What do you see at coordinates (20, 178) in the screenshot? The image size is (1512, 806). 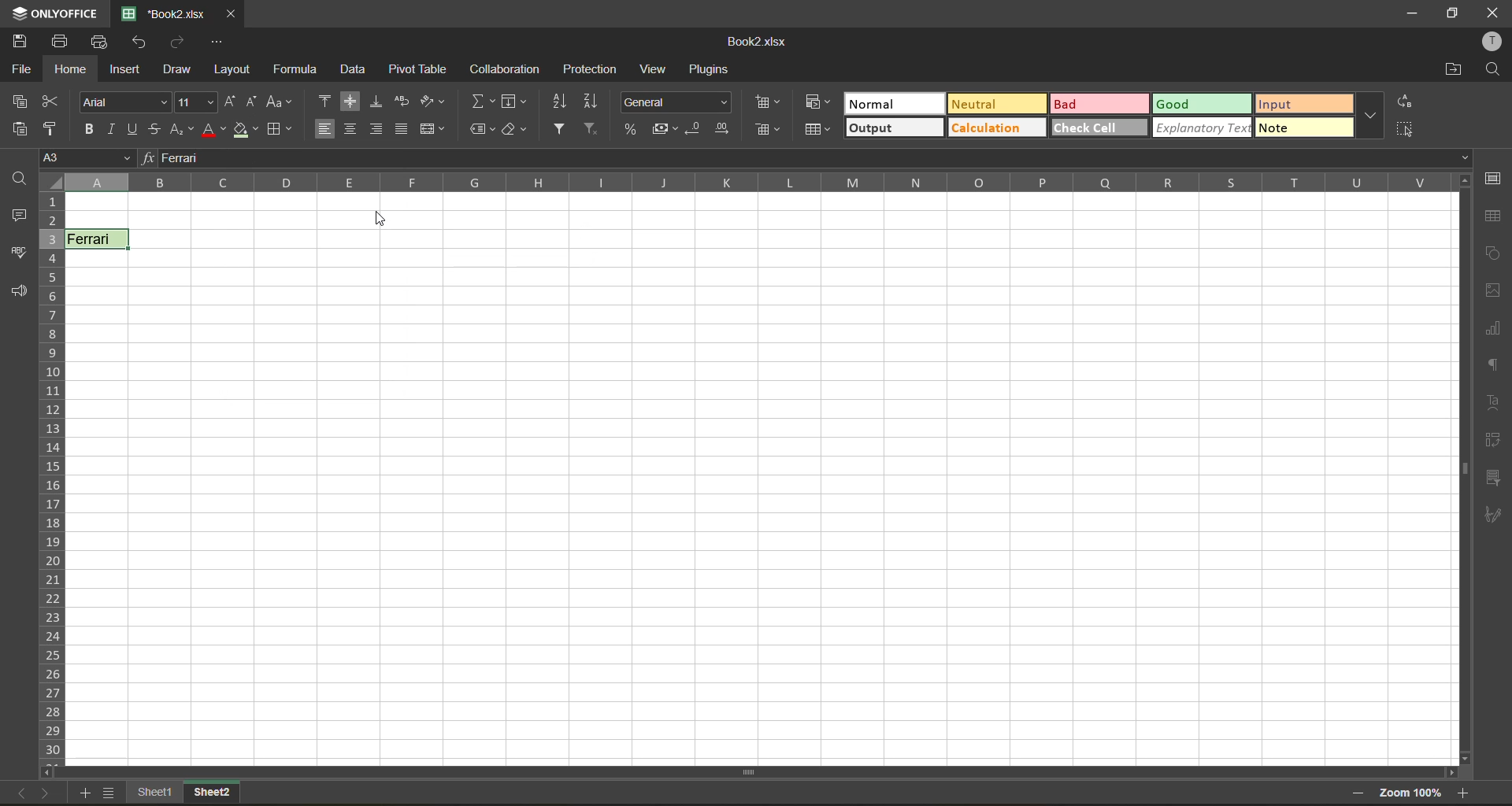 I see `find` at bounding box center [20, 178].